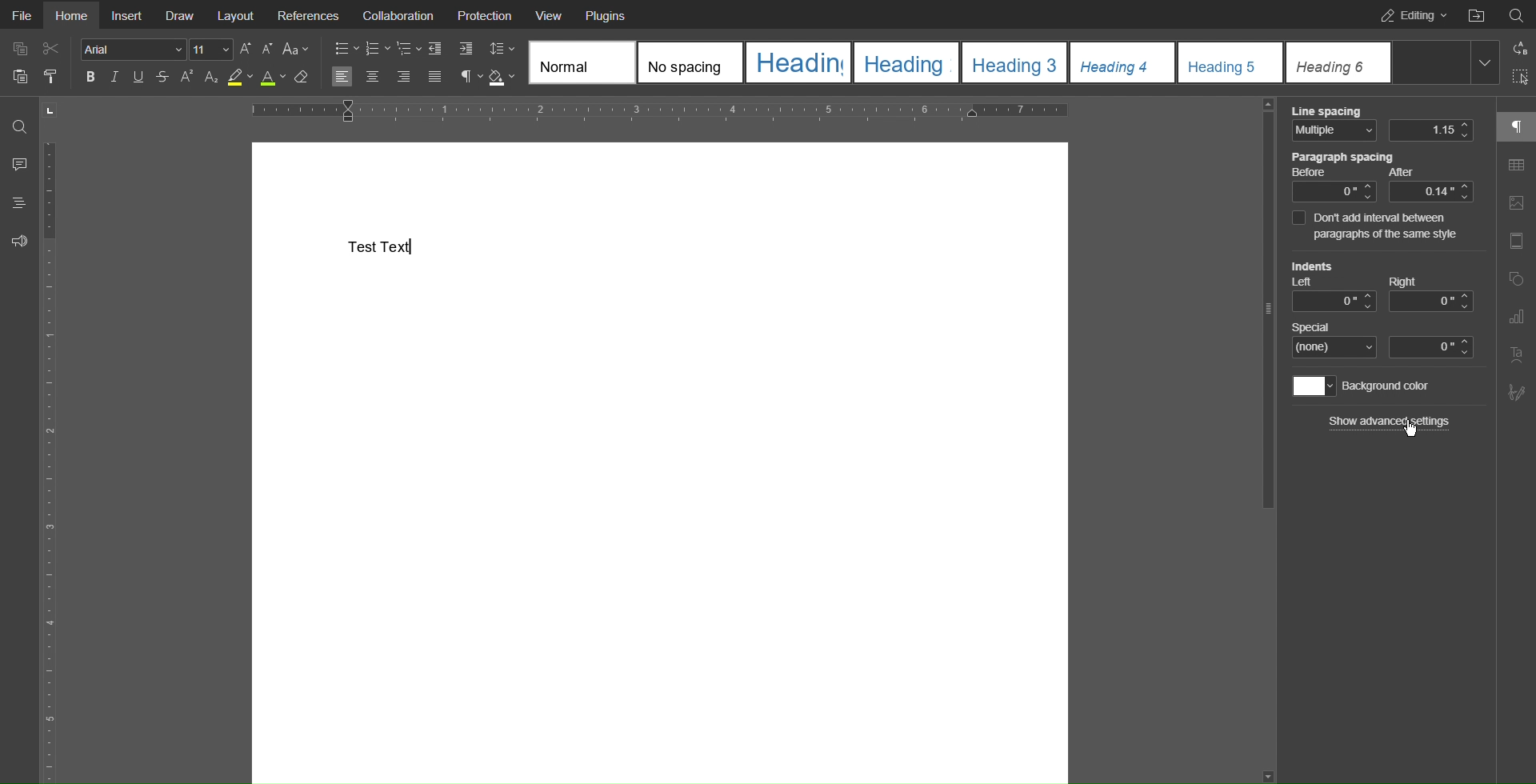 The image size is (1536, 784). What do you see at coordinates (377, 50) in the screenshot?
I see `Numbered List` at bounding box center [377, 50].